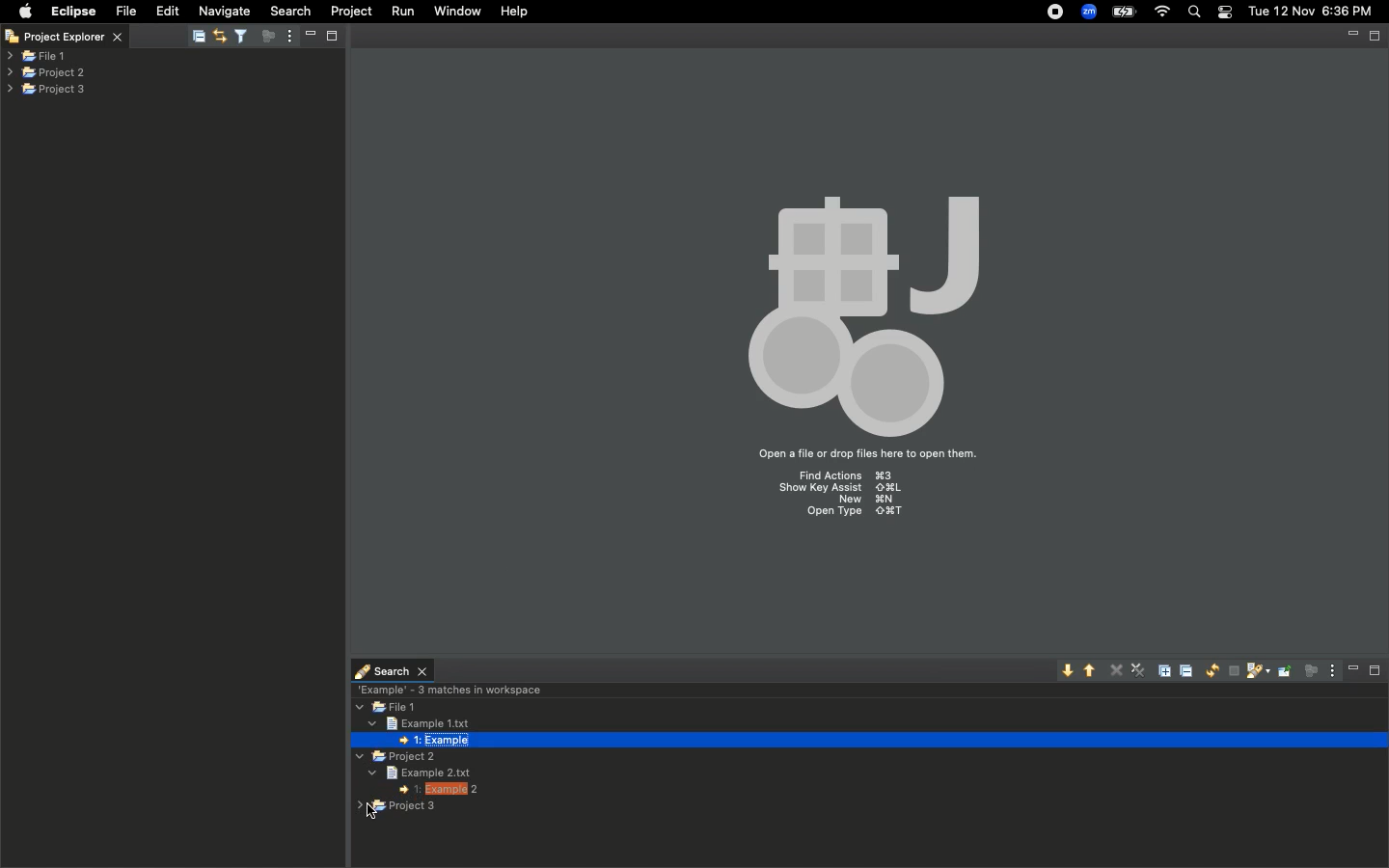 The width and height of the screenshot is (1389, 868). What do you see at coordinates (124, 12) in the screenshot?
I see `File` at bounding box center [124, 12].